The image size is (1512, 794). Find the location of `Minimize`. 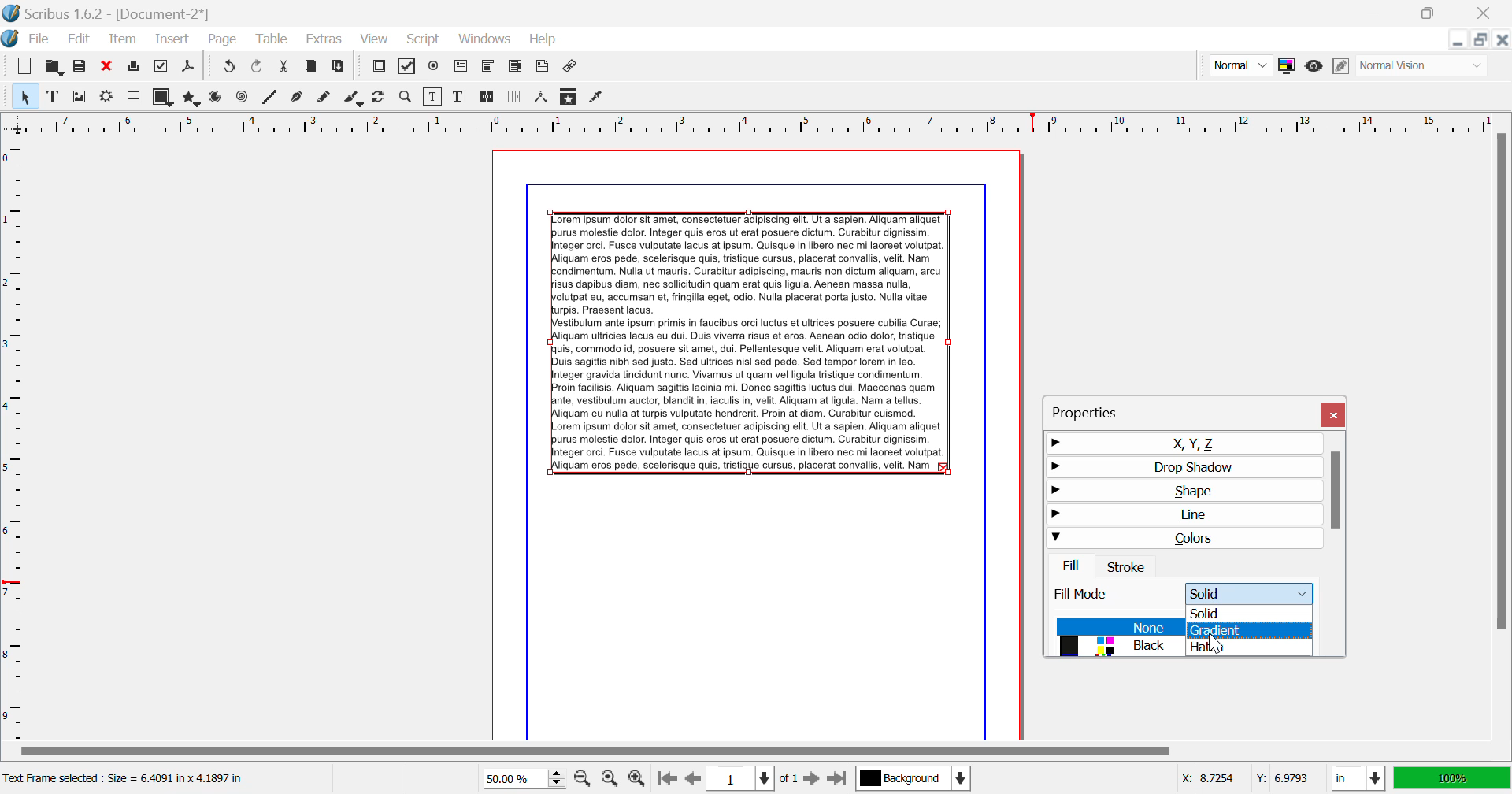

Minimize is located at coordinates (1482, 39).